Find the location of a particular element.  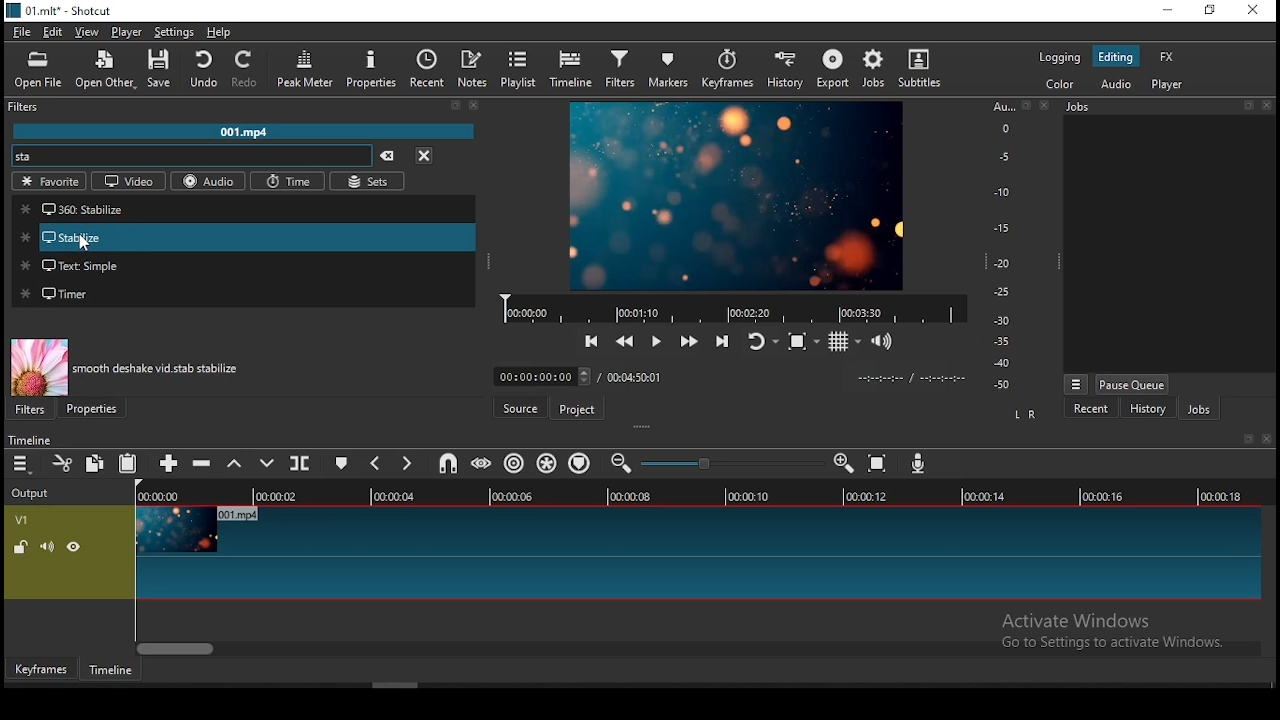

snap is located at coordinates (449, 463).